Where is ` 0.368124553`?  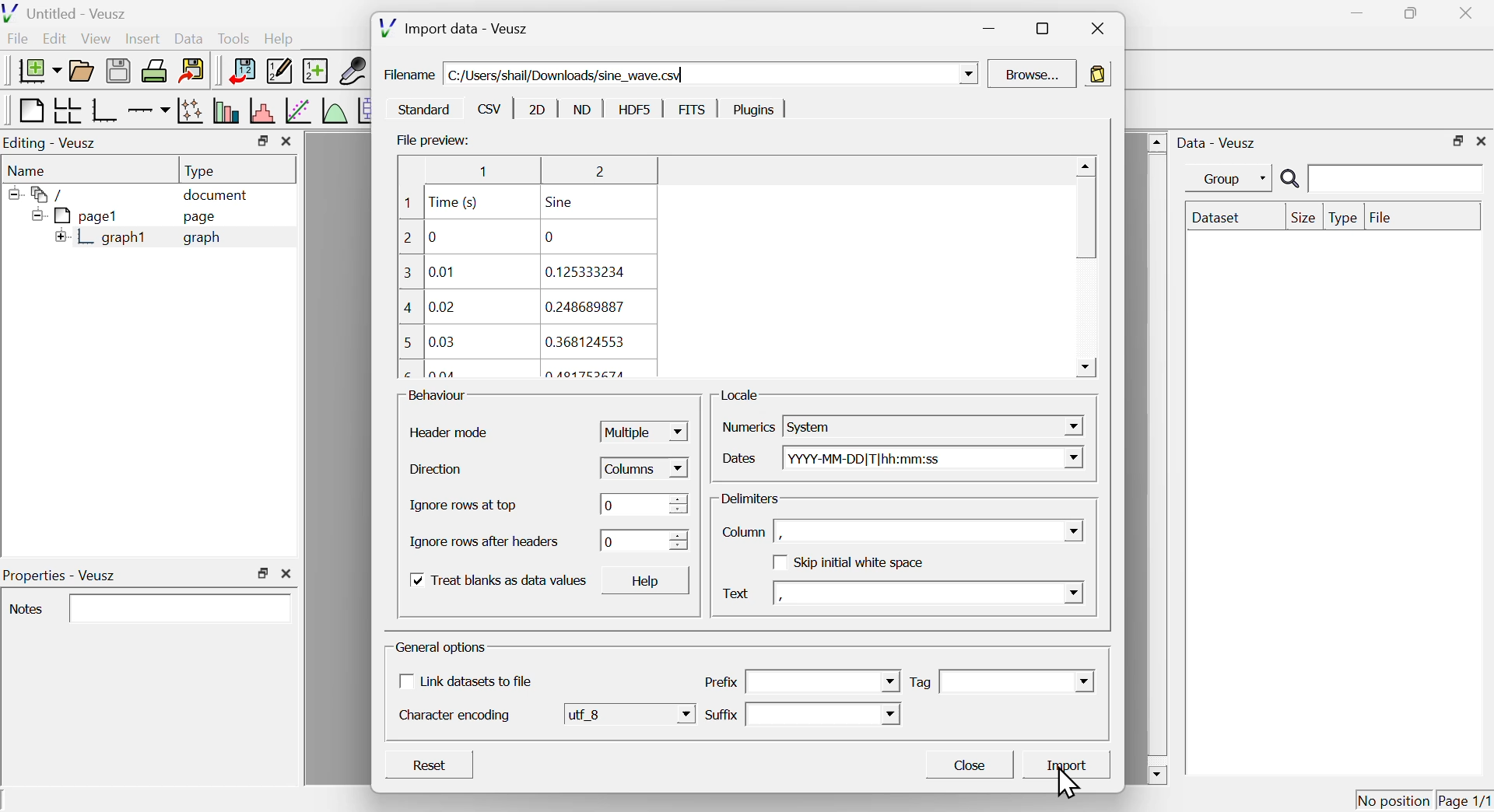
 0.368124553 is located at coordinates (591, 343).